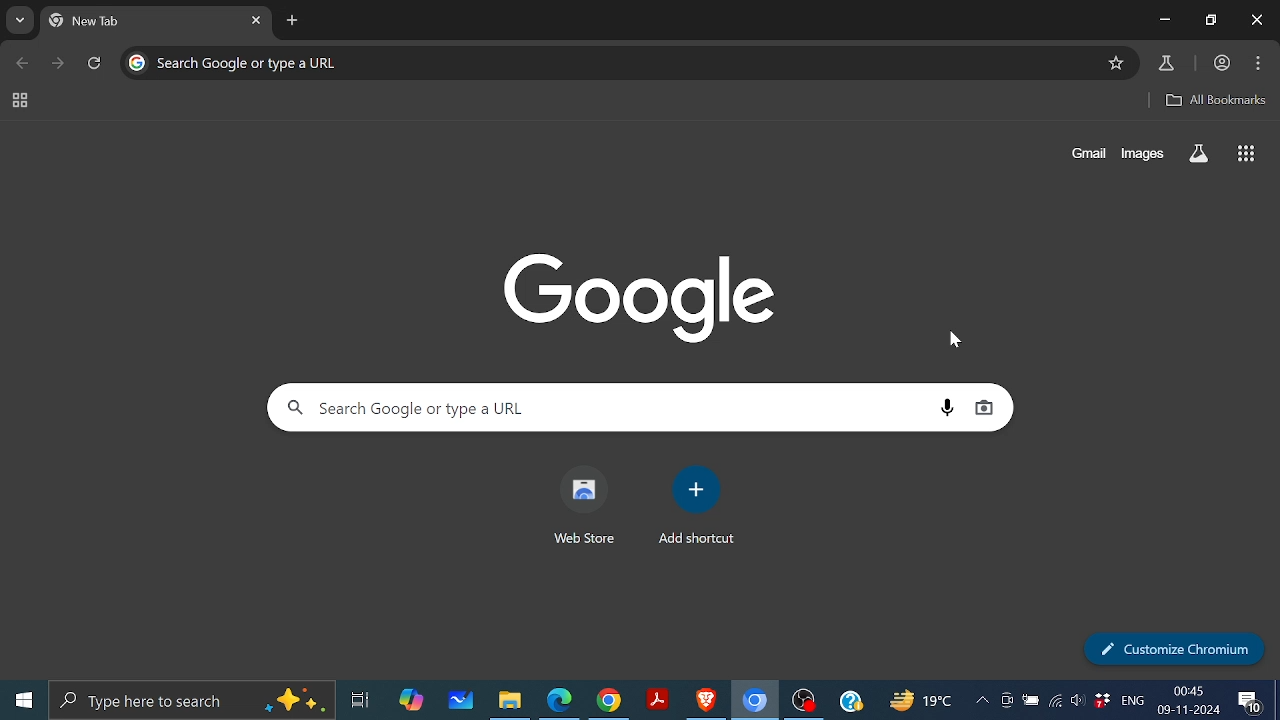 This screenshot has height=720, width=1280. What do you see at coordinates (96, 63) in the screenshot?
I see `Reload page` at bounding box center [96, 63].